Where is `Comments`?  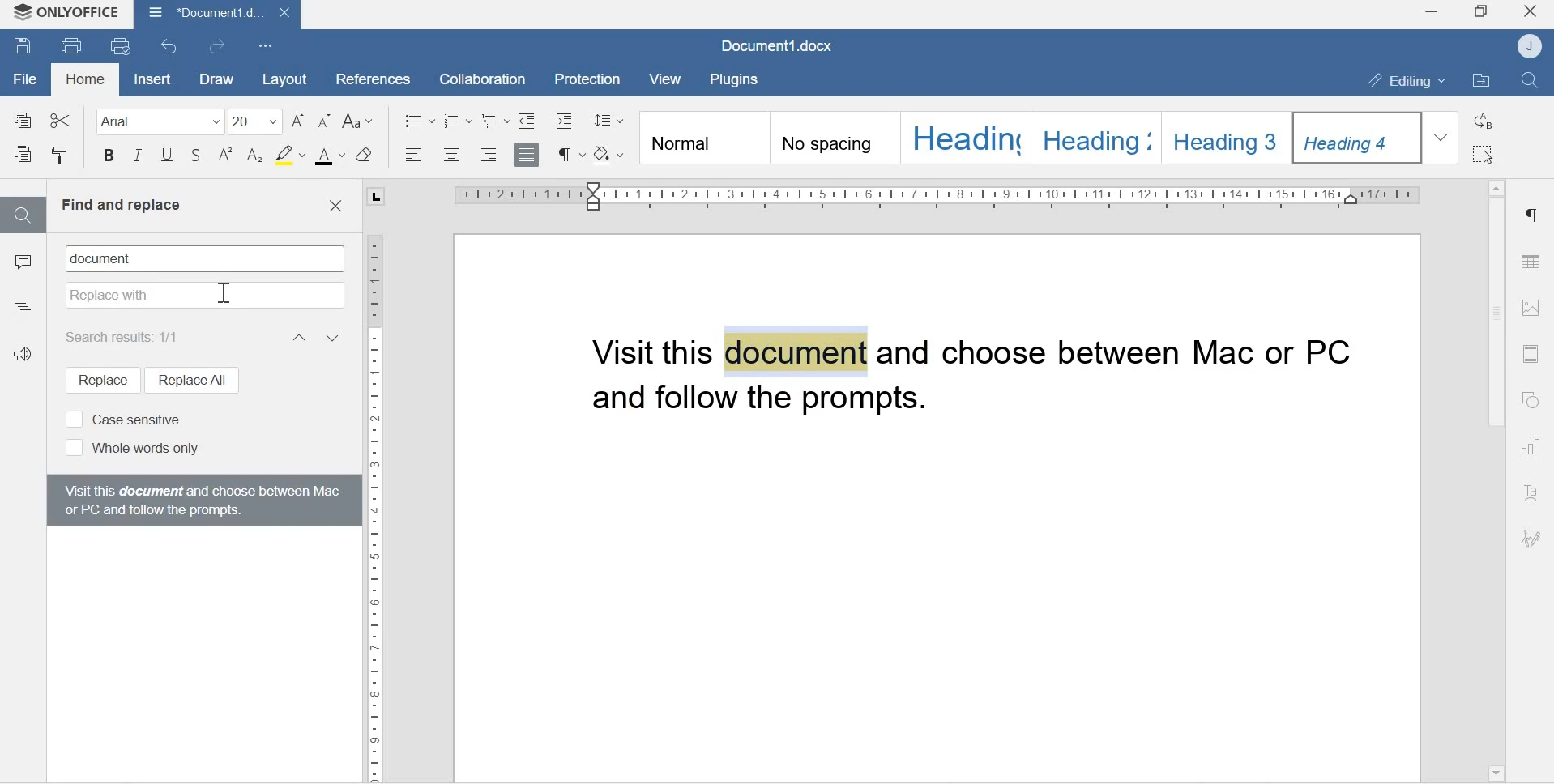
Comments is located at coordinates (23, 266).